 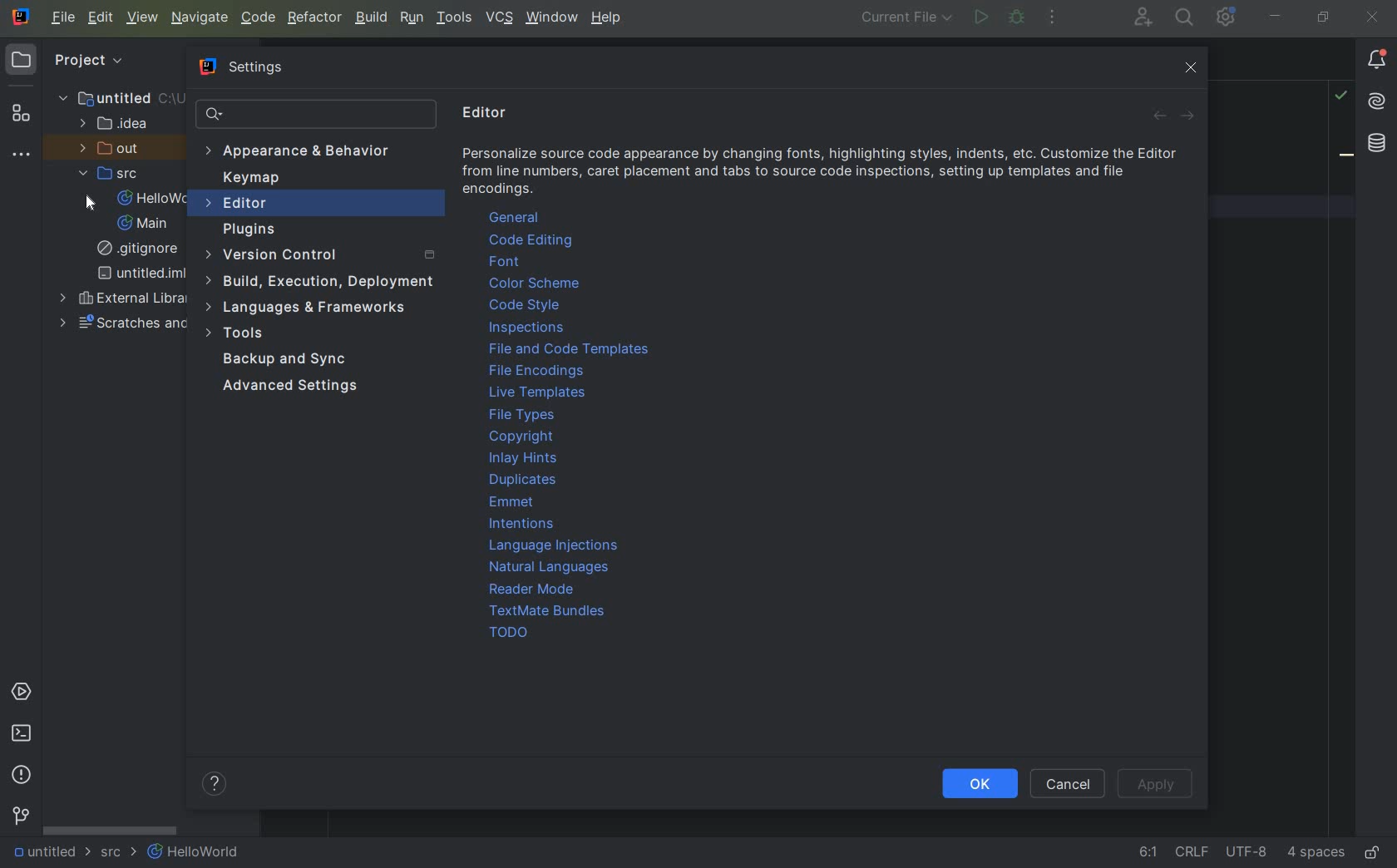 I want to click on VERSION CONTROL, so click(x=18, y=816).